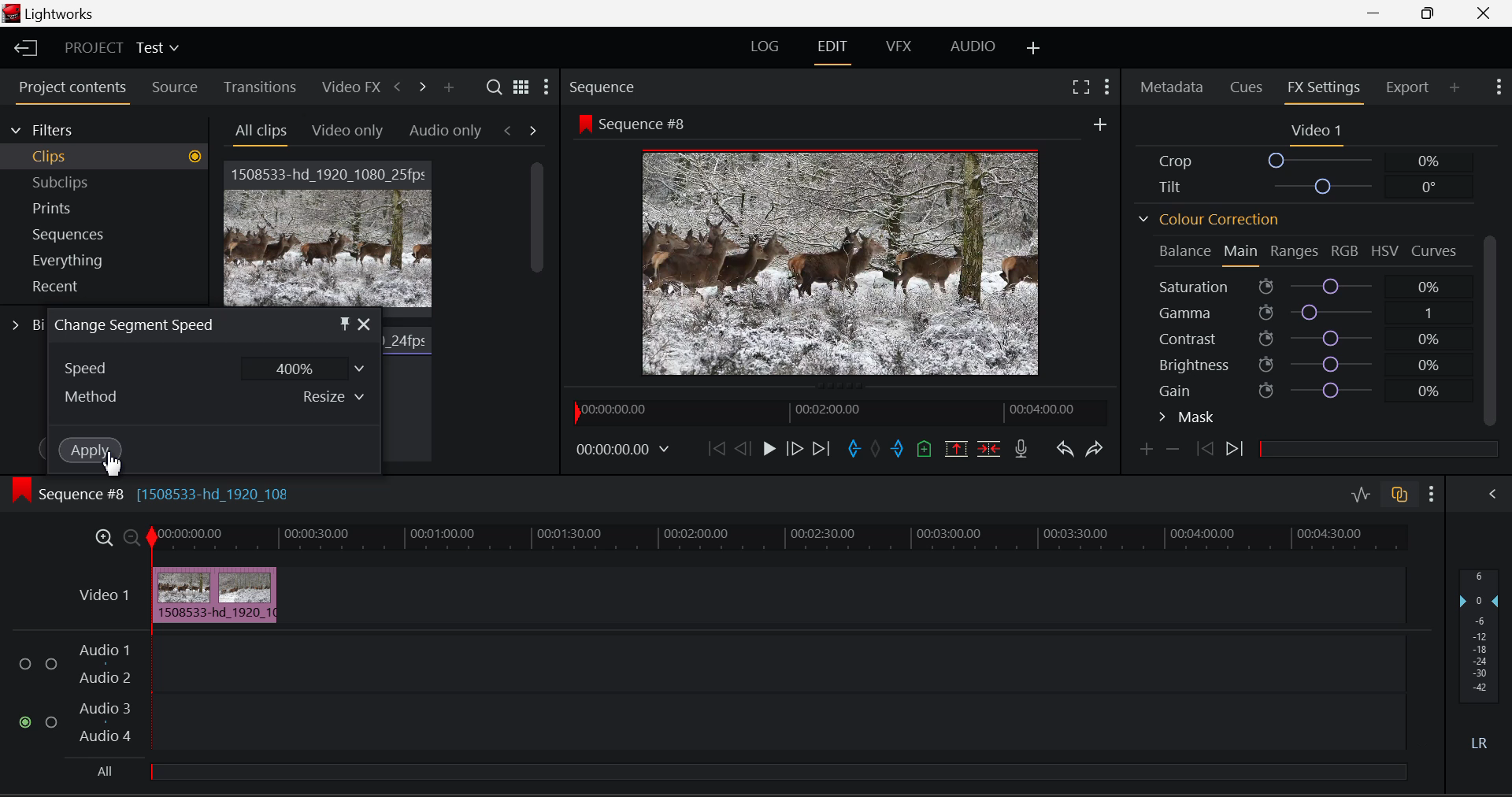 The image size is (1512, 797). I want to click on Colour Correction Section, so click(1237, 219).